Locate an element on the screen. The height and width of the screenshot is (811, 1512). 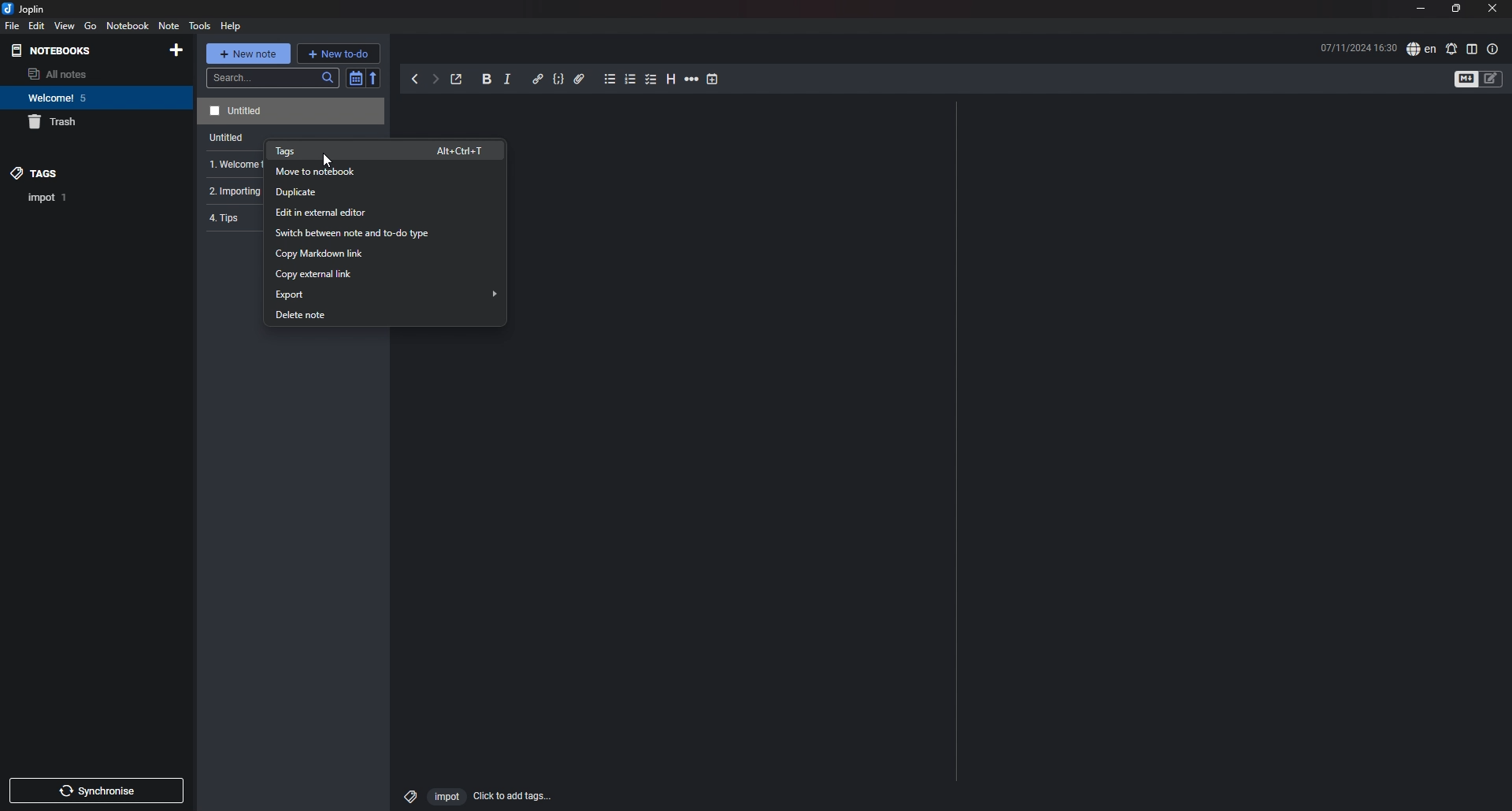
new todo is located at coordinates (339, 53).